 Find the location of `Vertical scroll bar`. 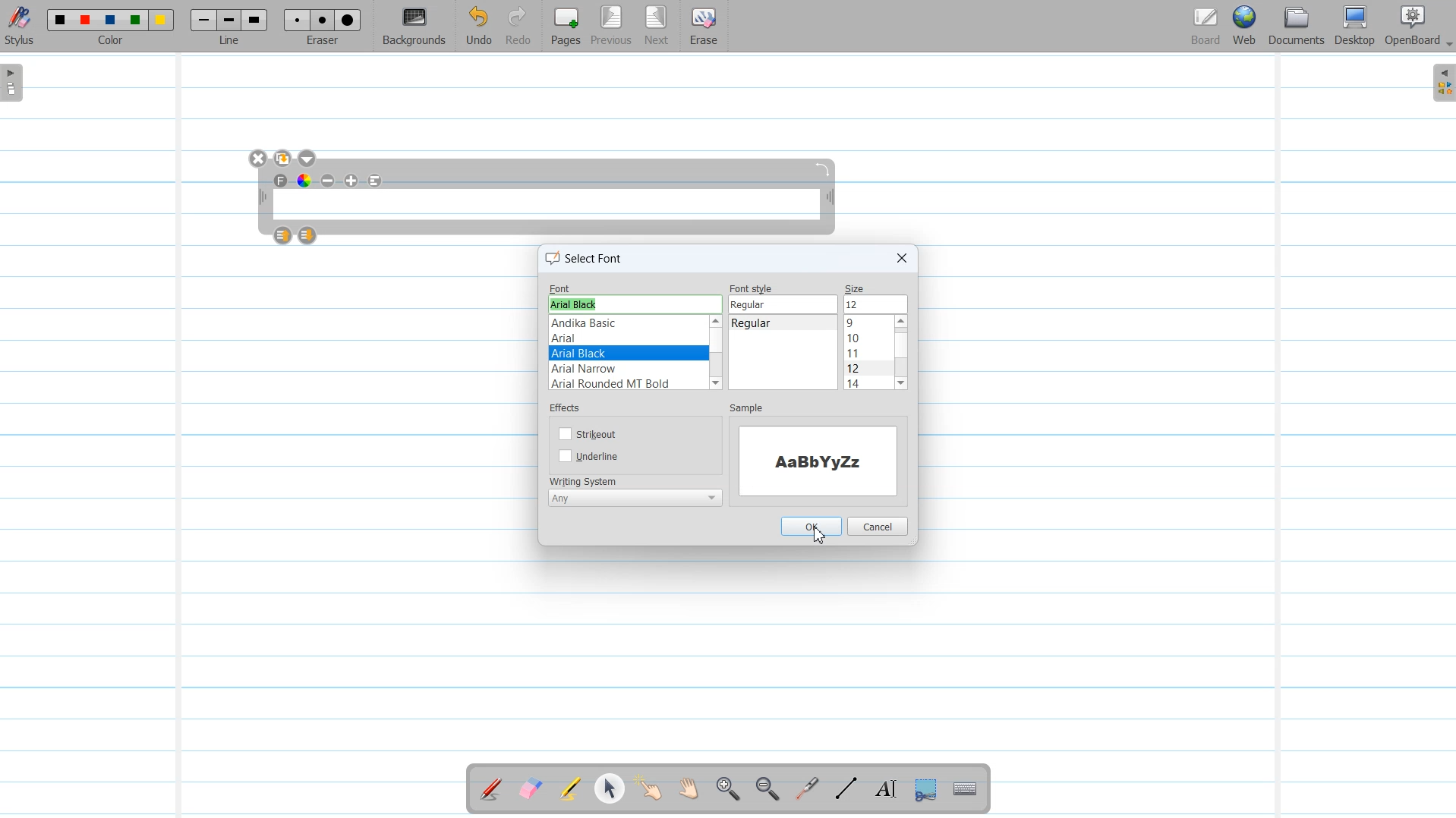

Vertical scroll bar is located at coordinates (833, 354).